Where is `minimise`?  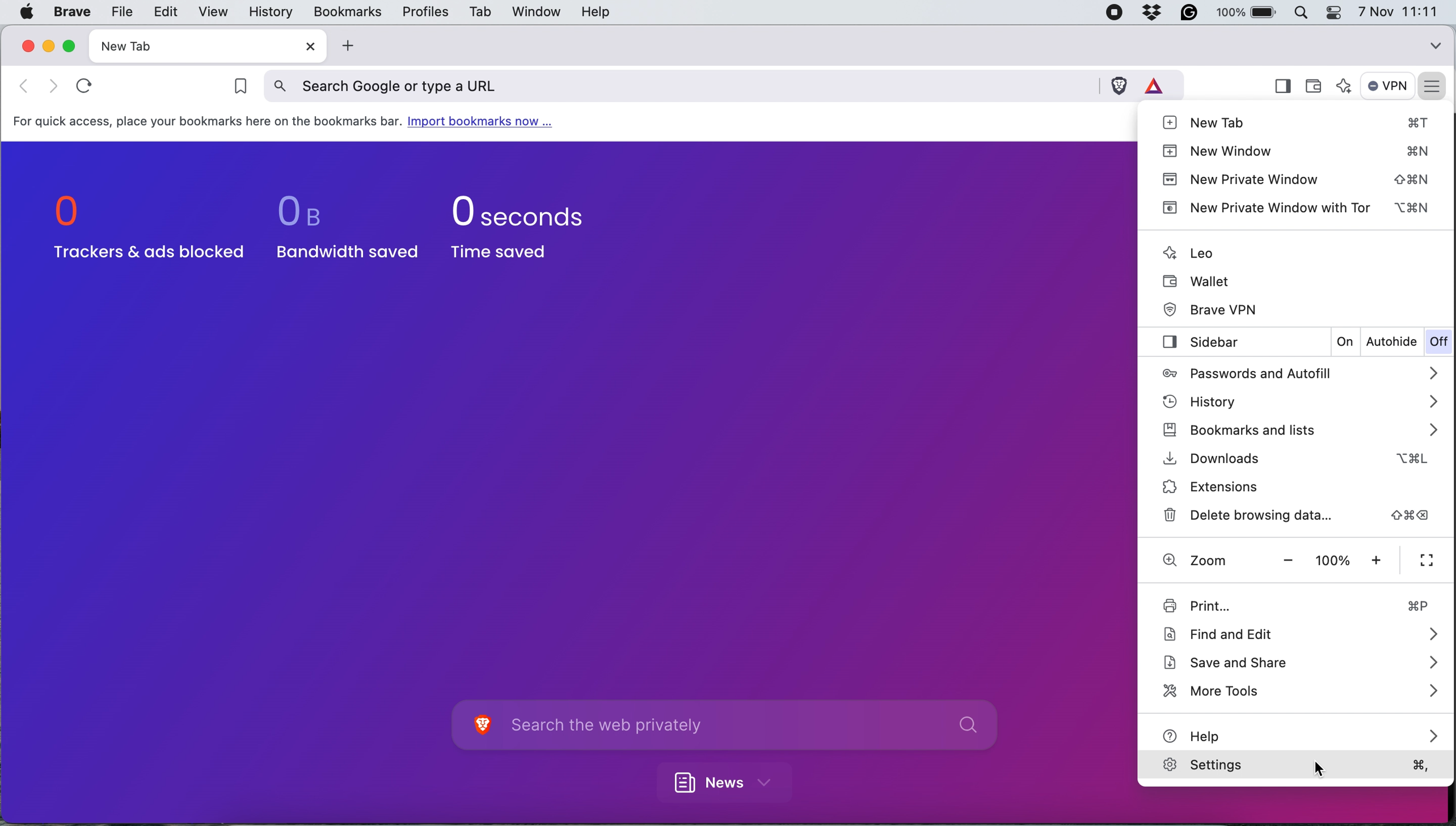
minimise is located at coordinates (49, 45).